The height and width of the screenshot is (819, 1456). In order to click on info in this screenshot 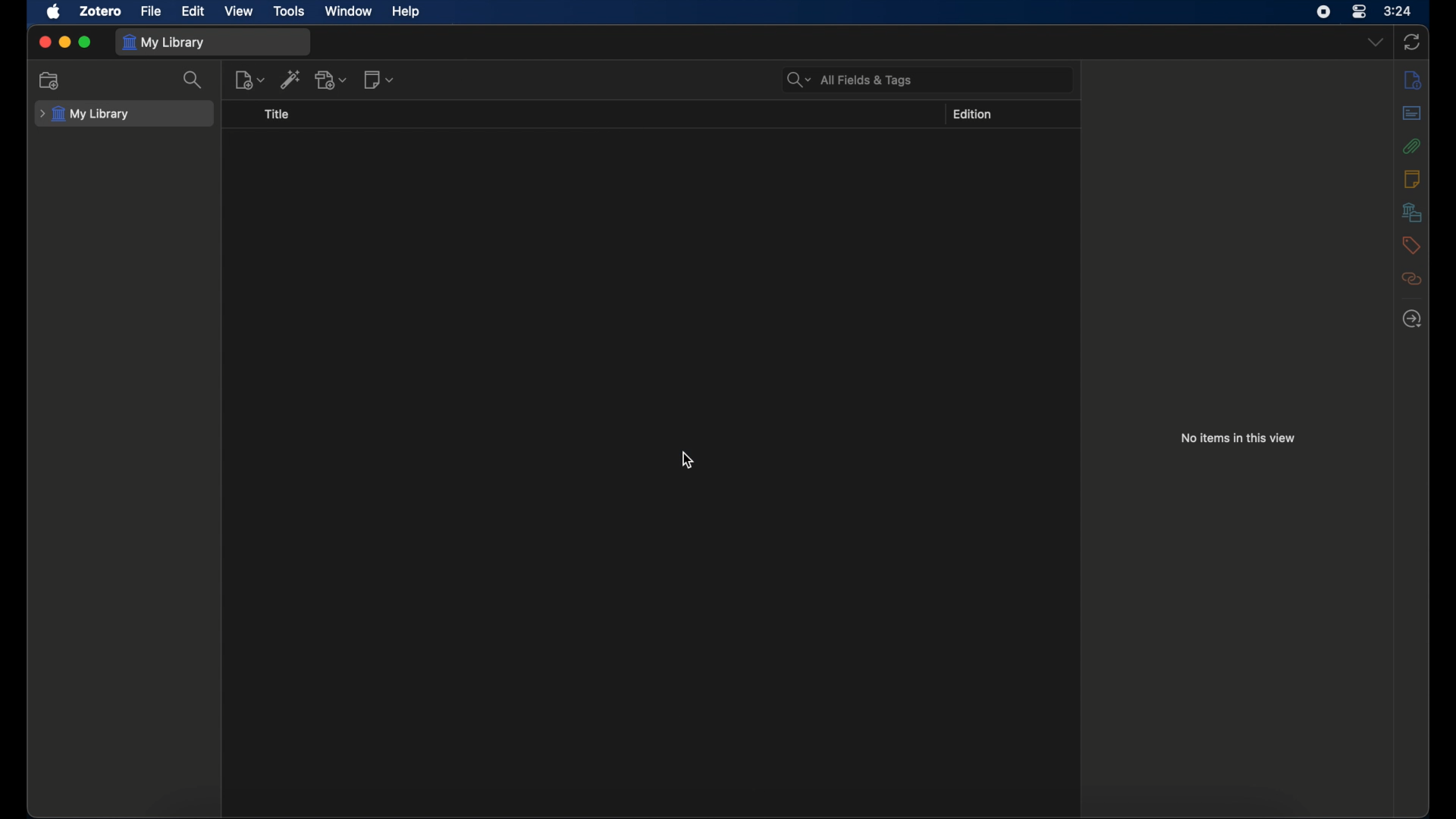, I will do `click(1414, 79)`.